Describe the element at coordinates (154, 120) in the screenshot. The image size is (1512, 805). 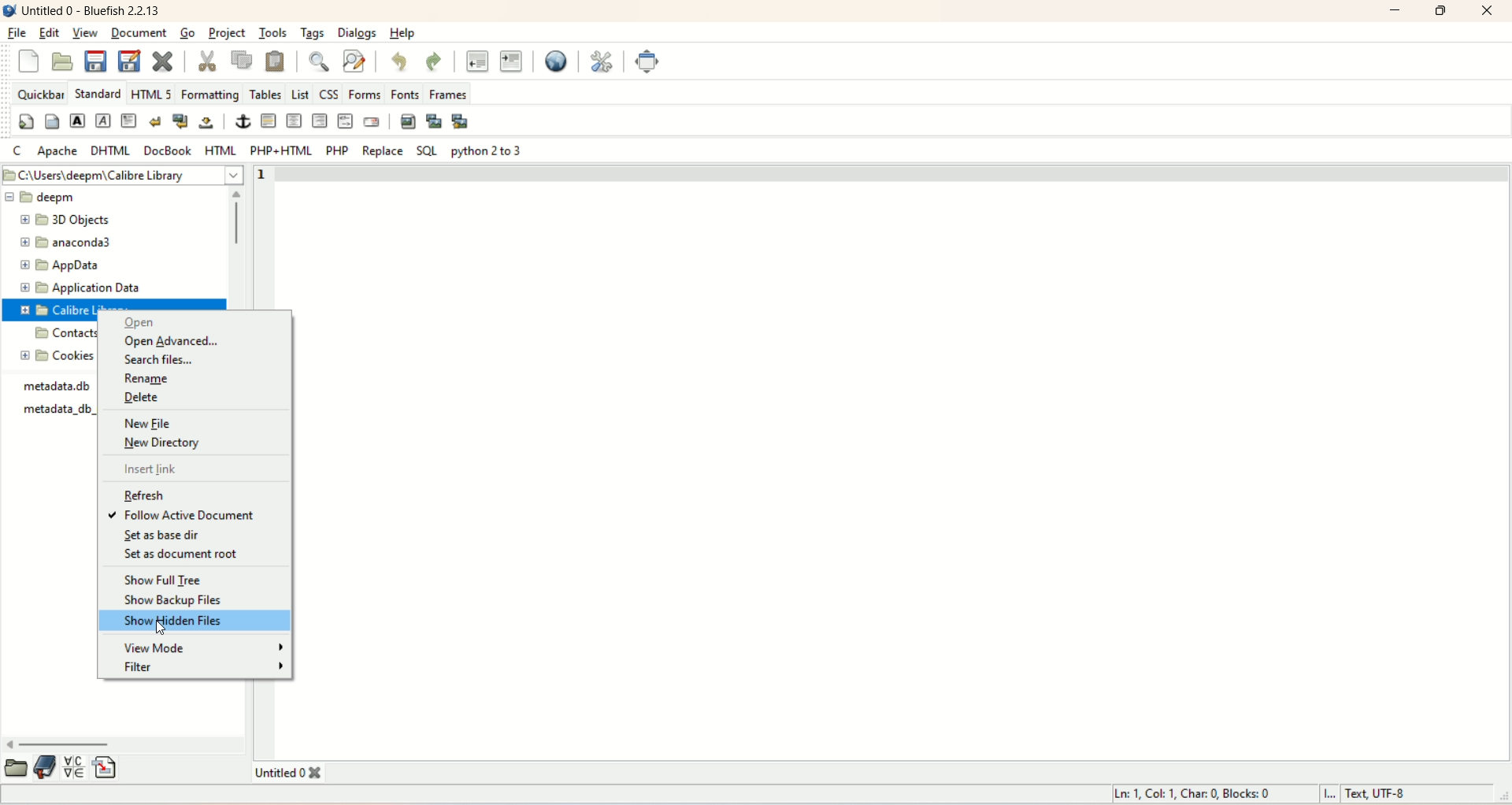
I see `clear` at that location.